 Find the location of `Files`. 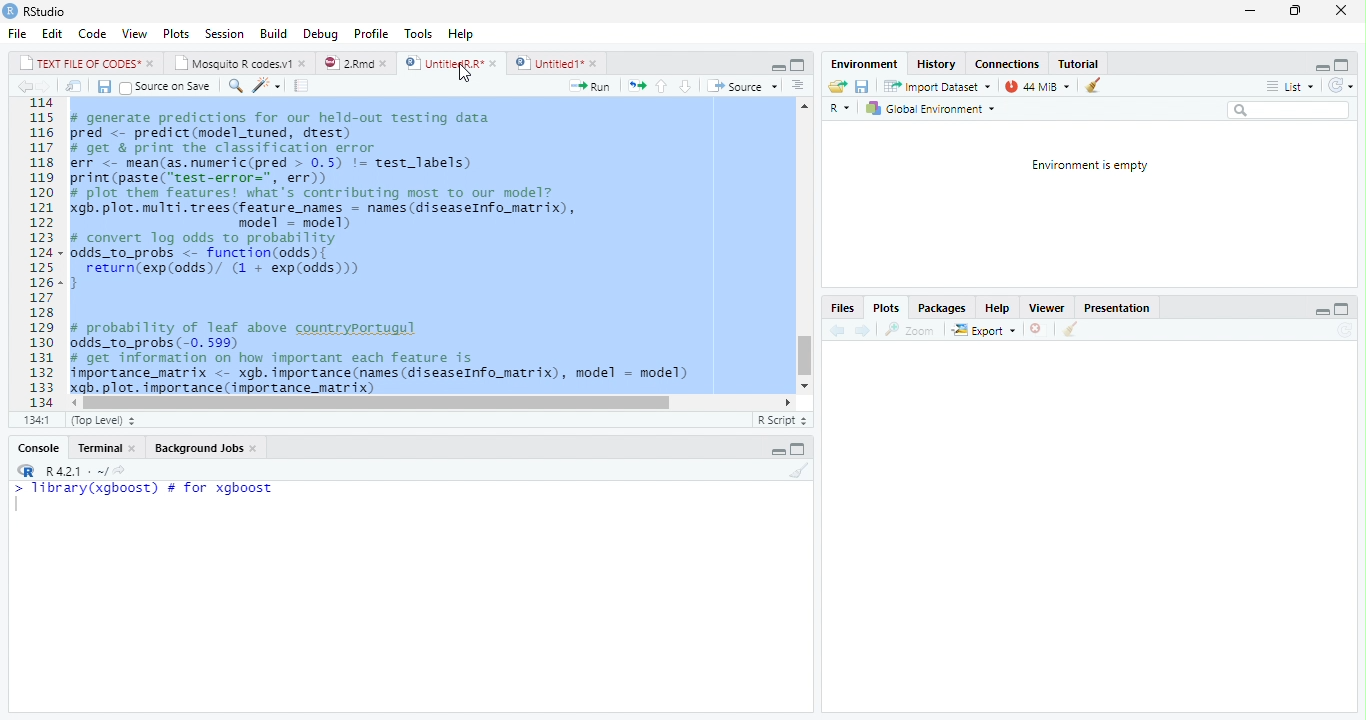

Files is located at coordinates (842, 308).